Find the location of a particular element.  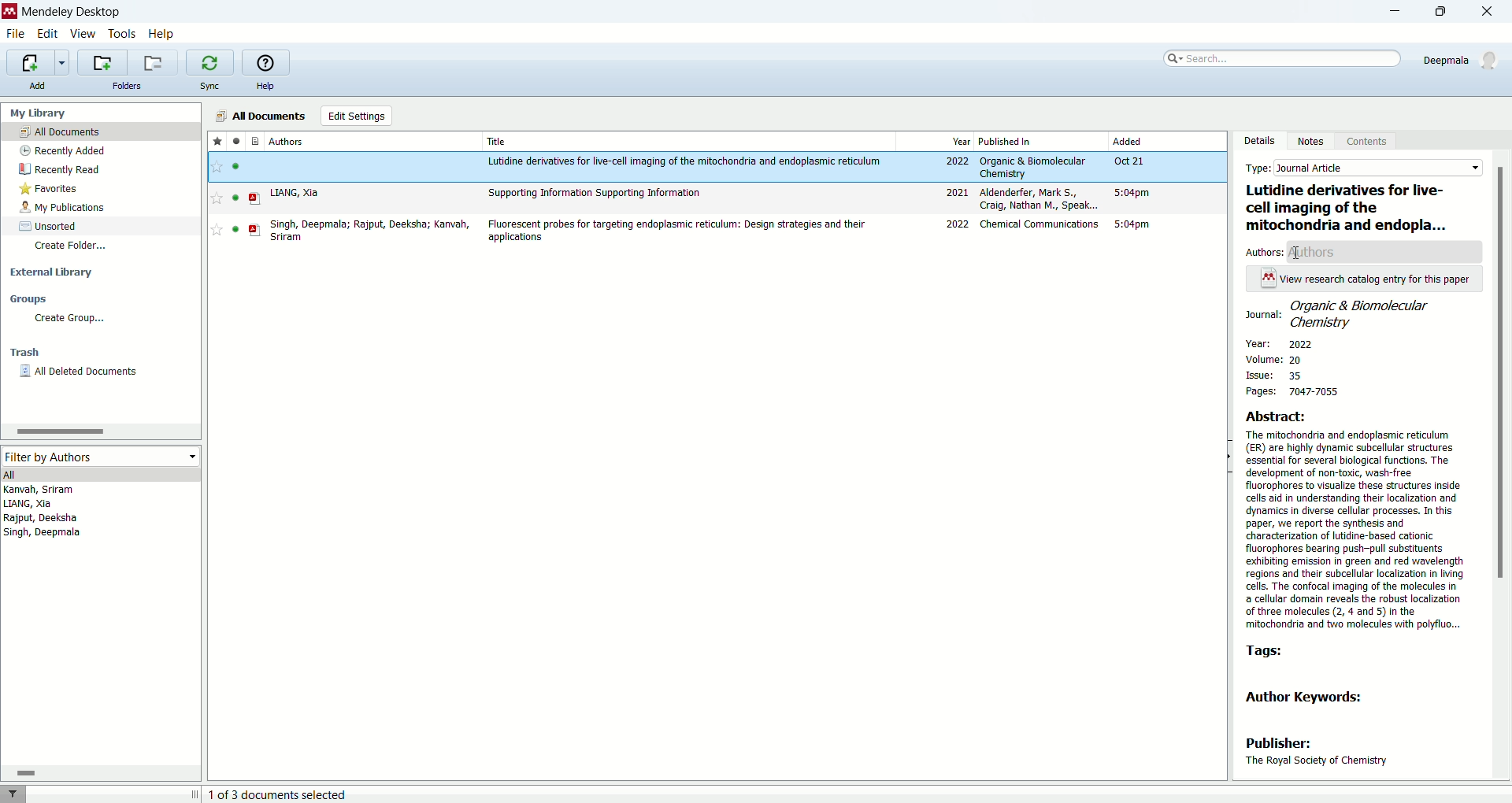

account is located at coordinates (1465, 58).